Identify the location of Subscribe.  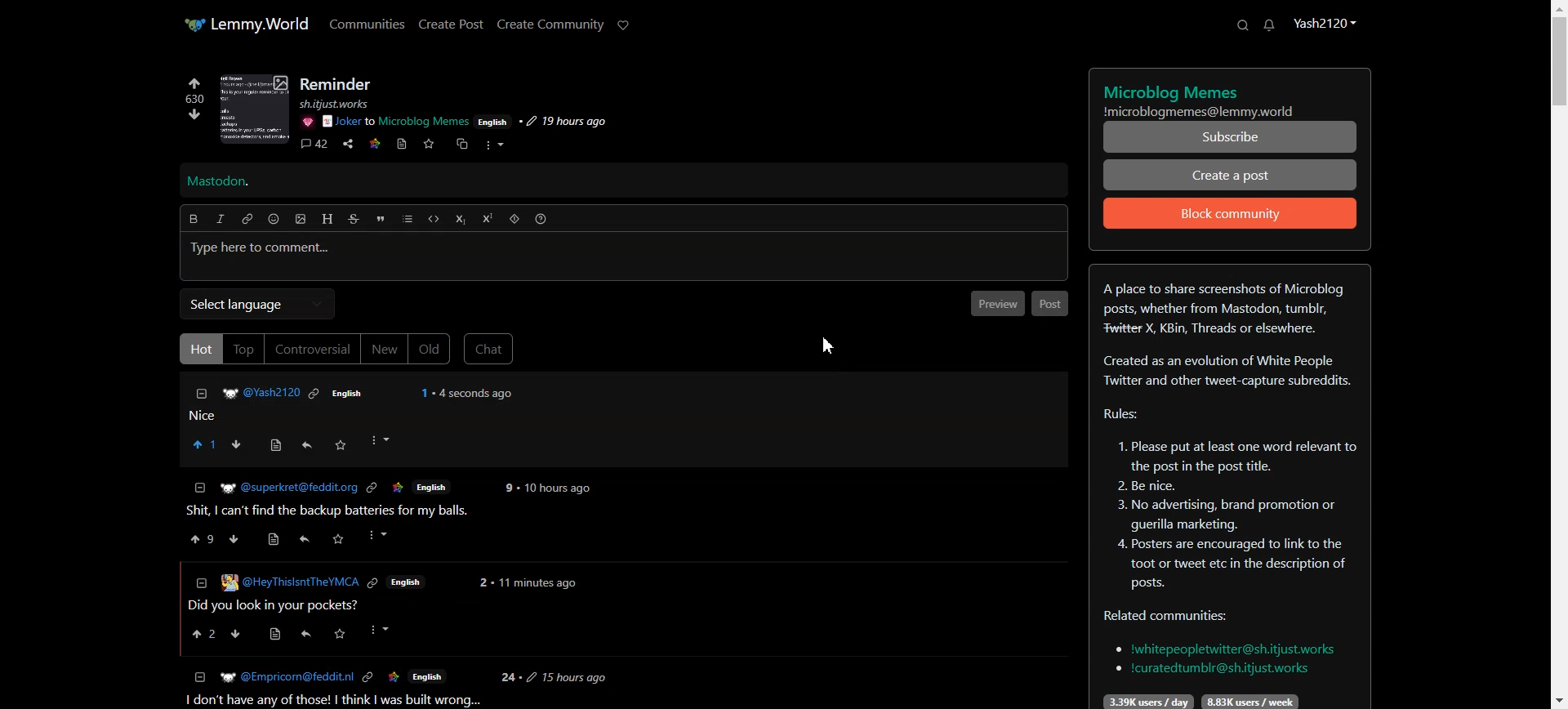
(1231, 137).